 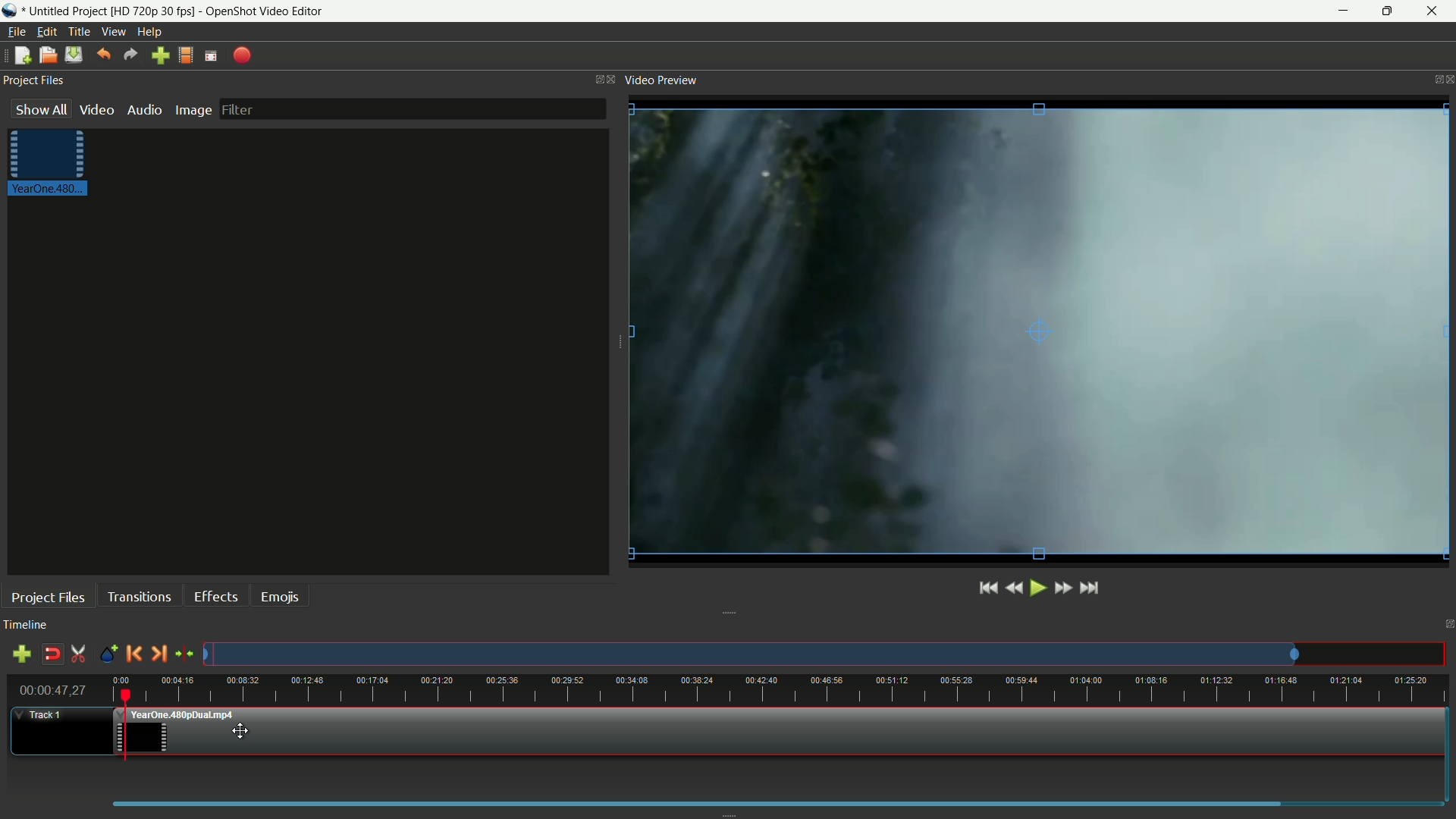 What do you see at coordinates (17, 31) in the screenshot?
I see `file menu` at bounding box center [17, 31].